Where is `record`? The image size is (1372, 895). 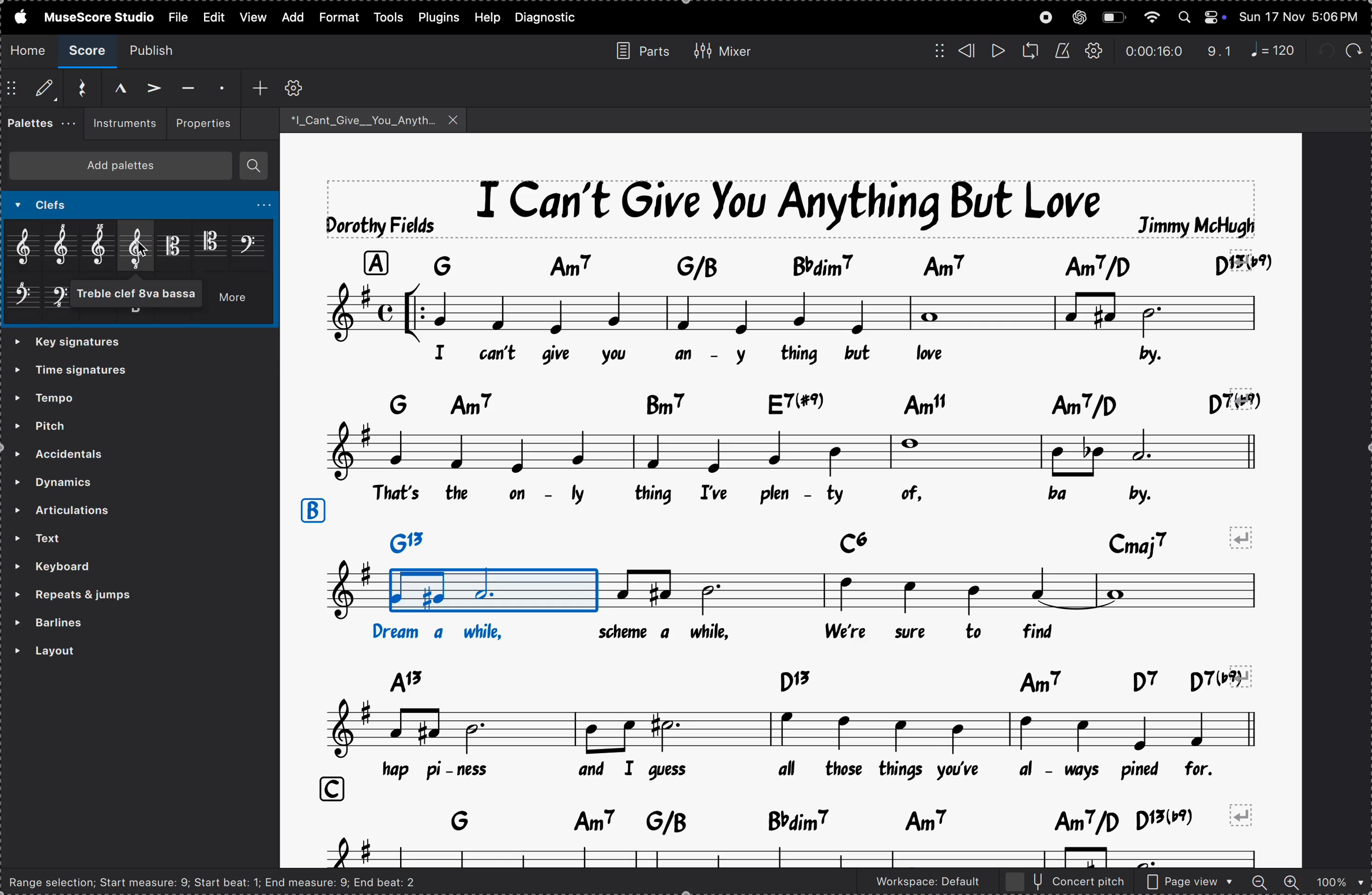
record is located at coordinates (1046, 17).